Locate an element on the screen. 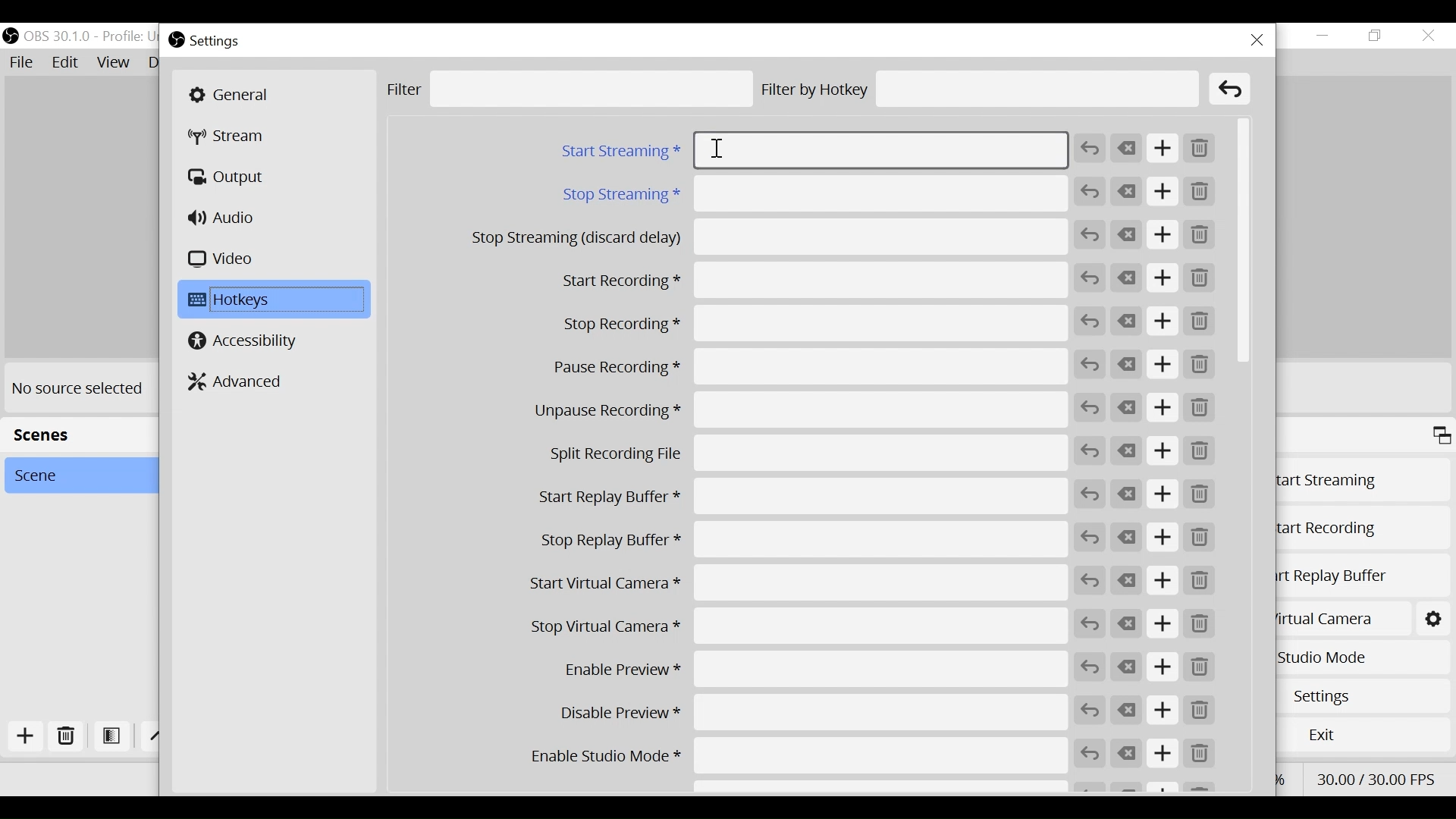  Clear is located at coordinates (1127, 149).